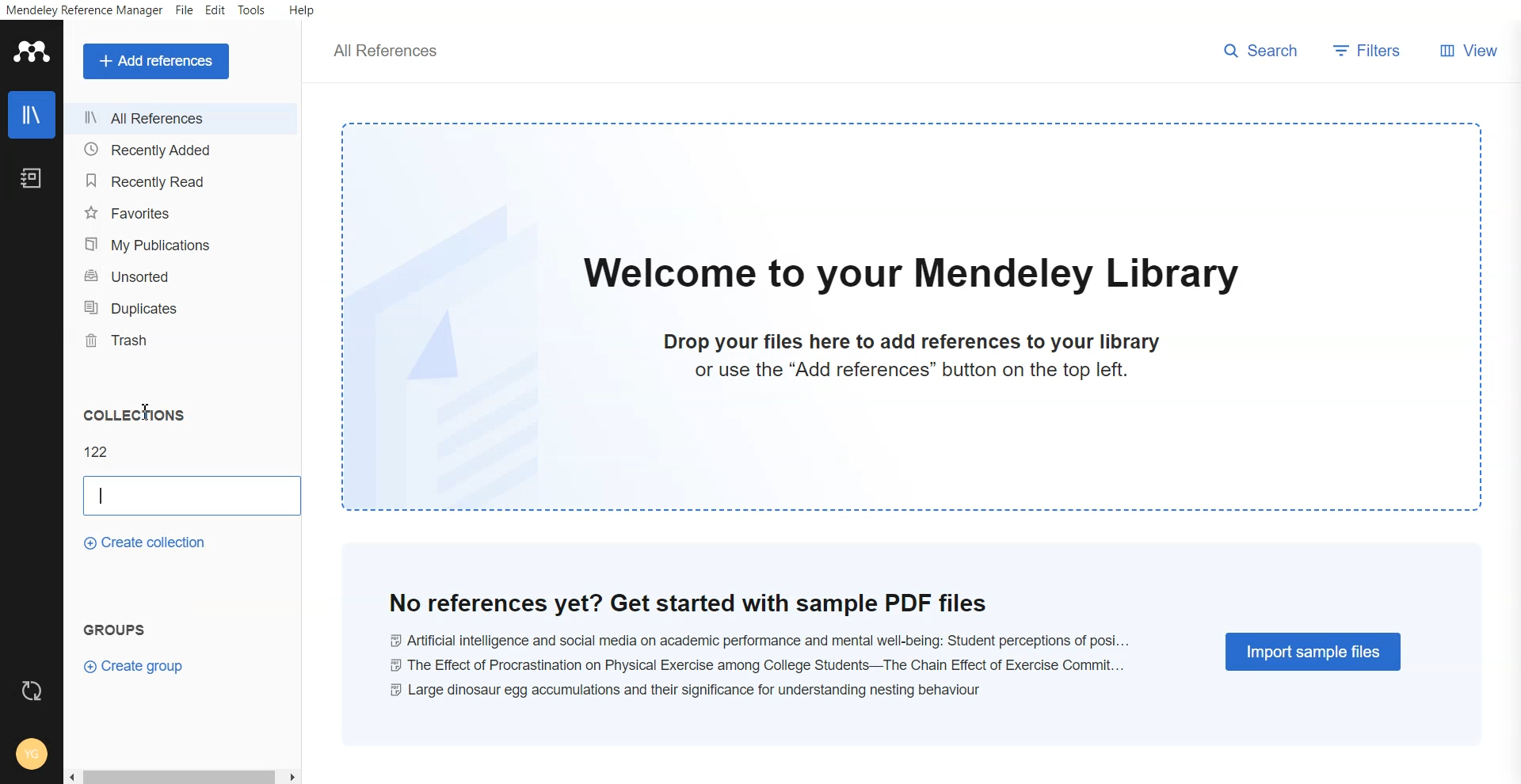  Describe the element at coordinates (185, 307) in the screenshot. I see `Duplicates` at that location.